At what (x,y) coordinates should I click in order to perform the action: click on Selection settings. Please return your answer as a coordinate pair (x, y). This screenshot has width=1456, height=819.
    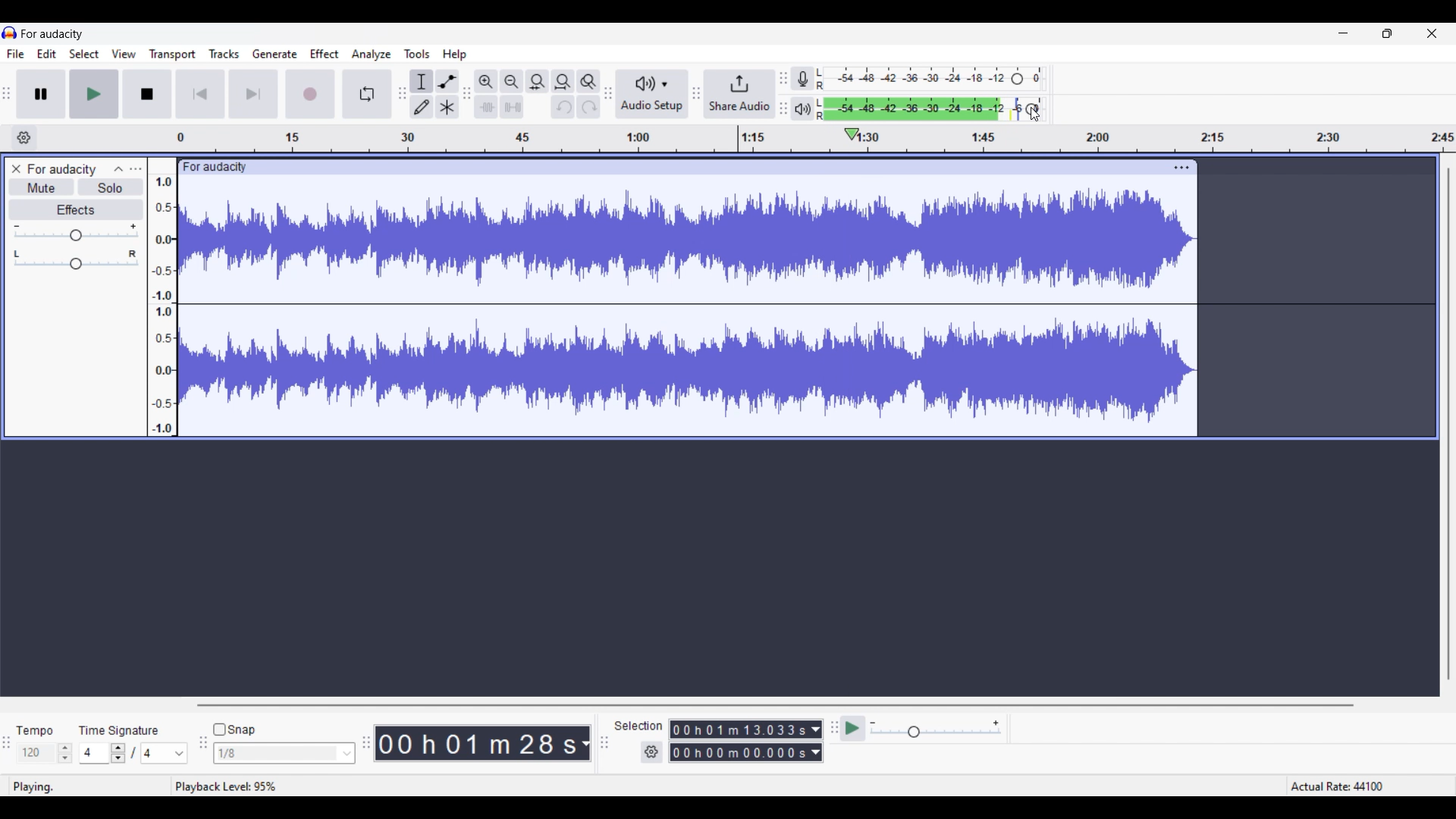
    Looking at the image, I should click on (651, 752).